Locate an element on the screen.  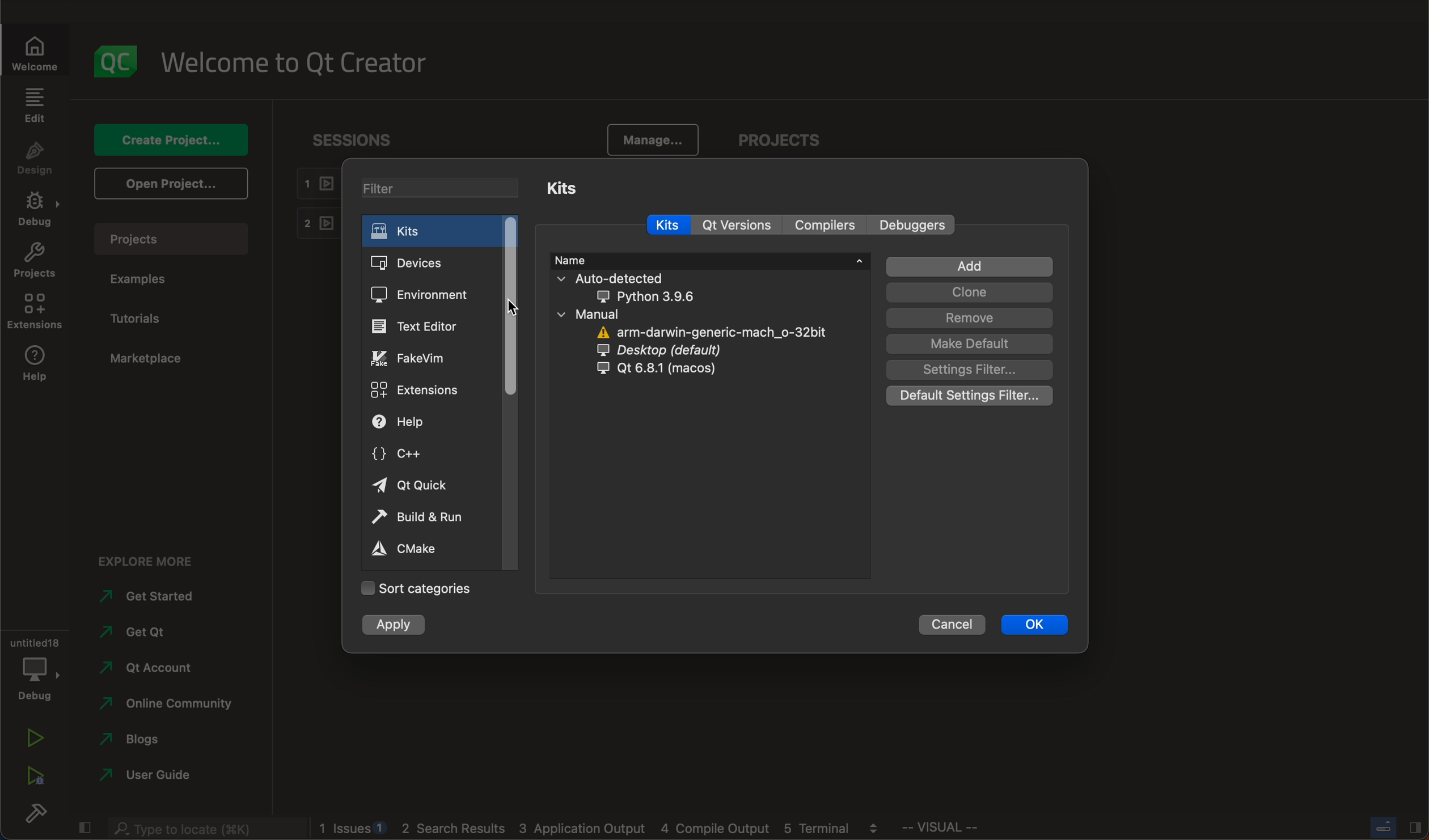
c++ is located at coordinates (413, 455).